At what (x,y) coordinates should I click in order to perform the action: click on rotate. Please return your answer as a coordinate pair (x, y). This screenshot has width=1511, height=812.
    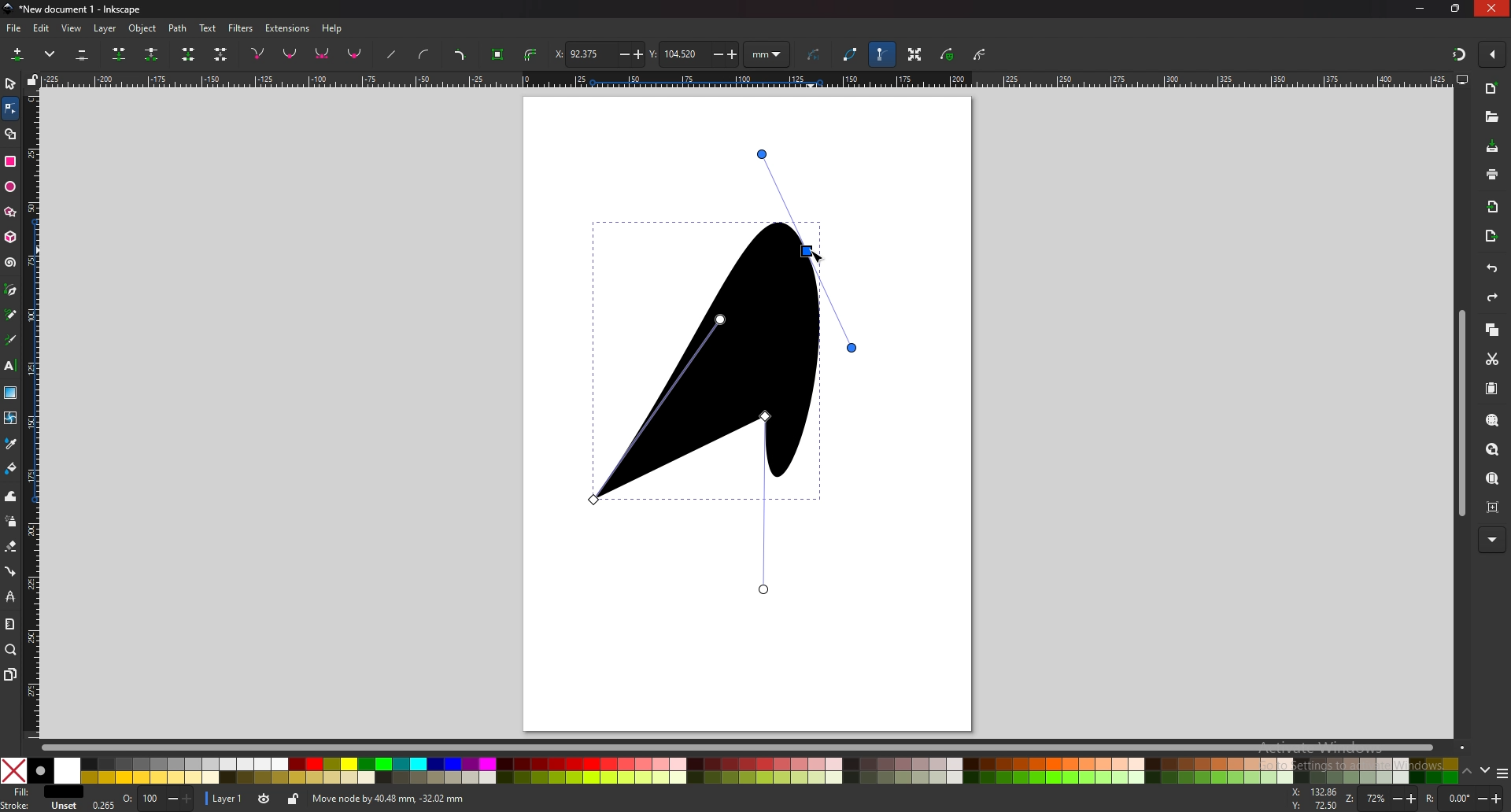
    Looking at the image, I should click on (1465, 798).